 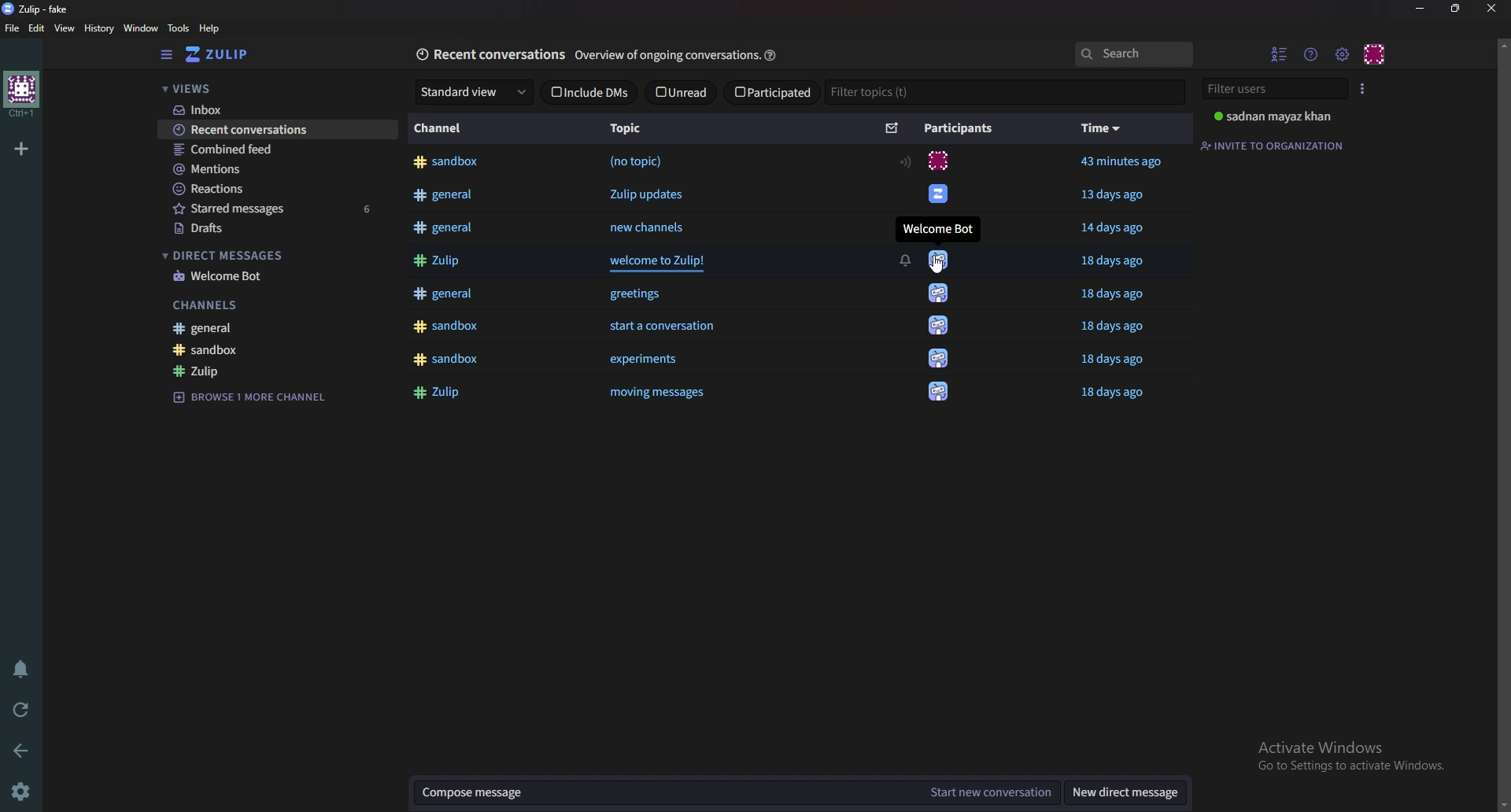 What do you see at coordinates (632, 128) in the screenshot?
I see `Topic` at bounding box center [632, 128].